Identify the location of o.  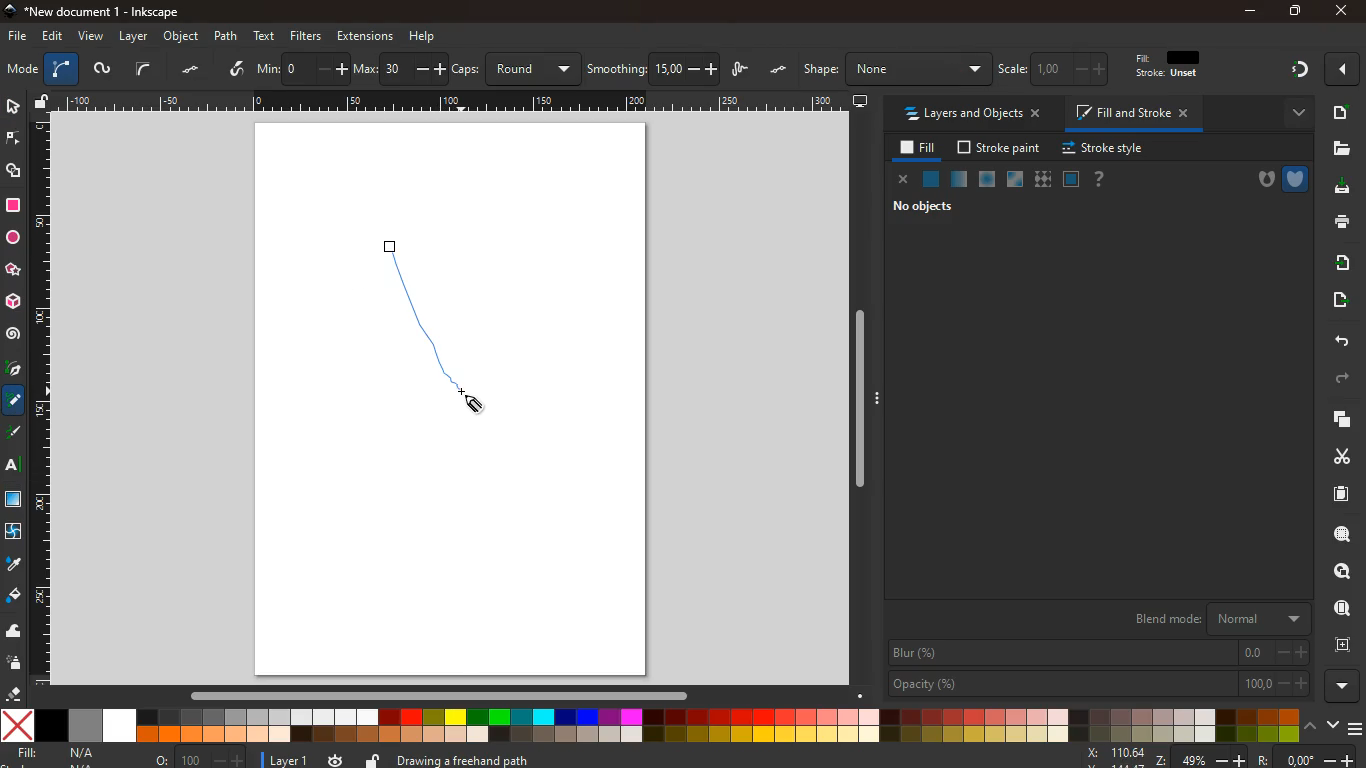
(200, 759).